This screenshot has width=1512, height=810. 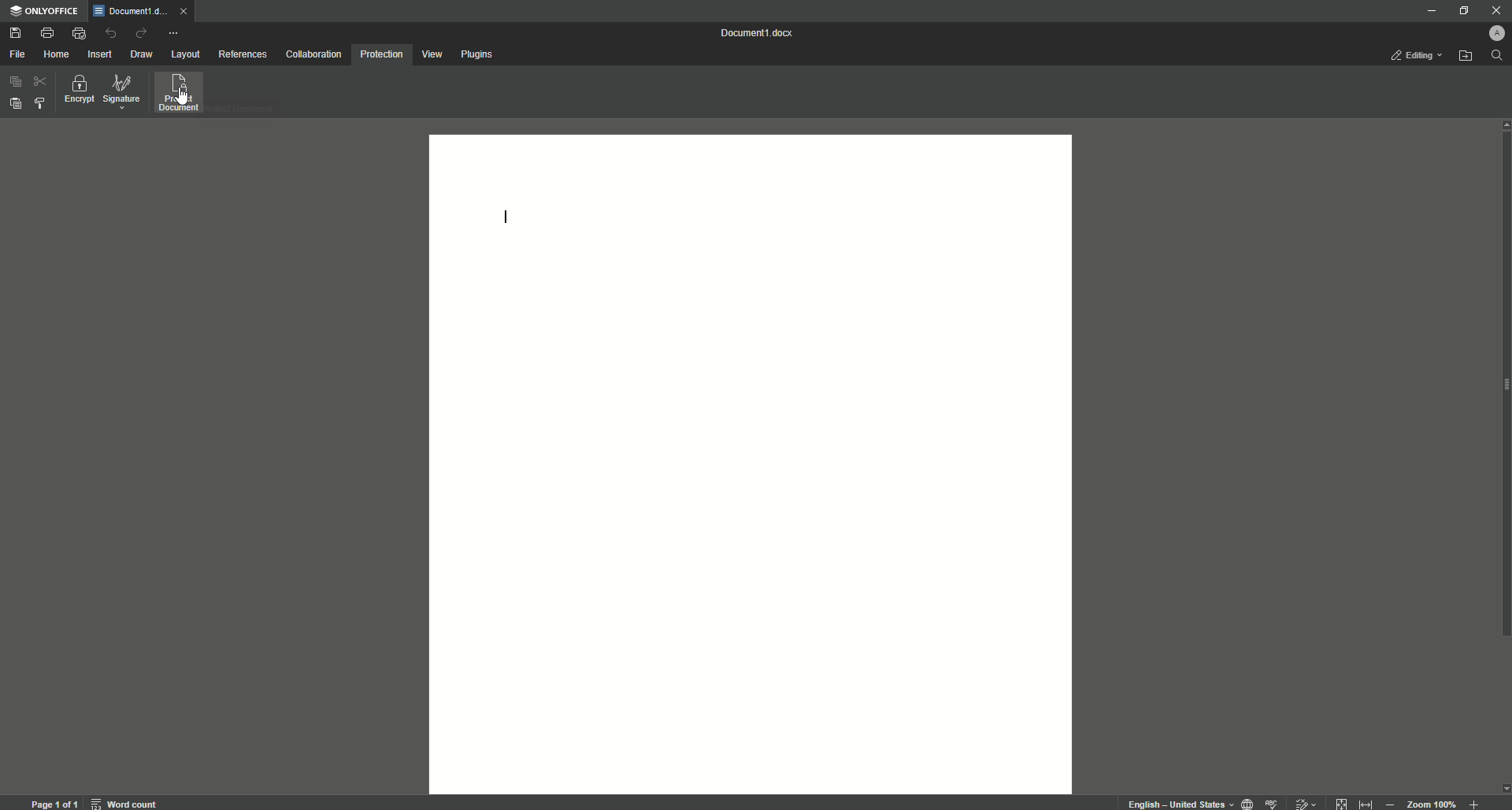 What do you see at coordinates (128, 801) in the screenshot?
I see `word count` at bounding box center [128, 801].